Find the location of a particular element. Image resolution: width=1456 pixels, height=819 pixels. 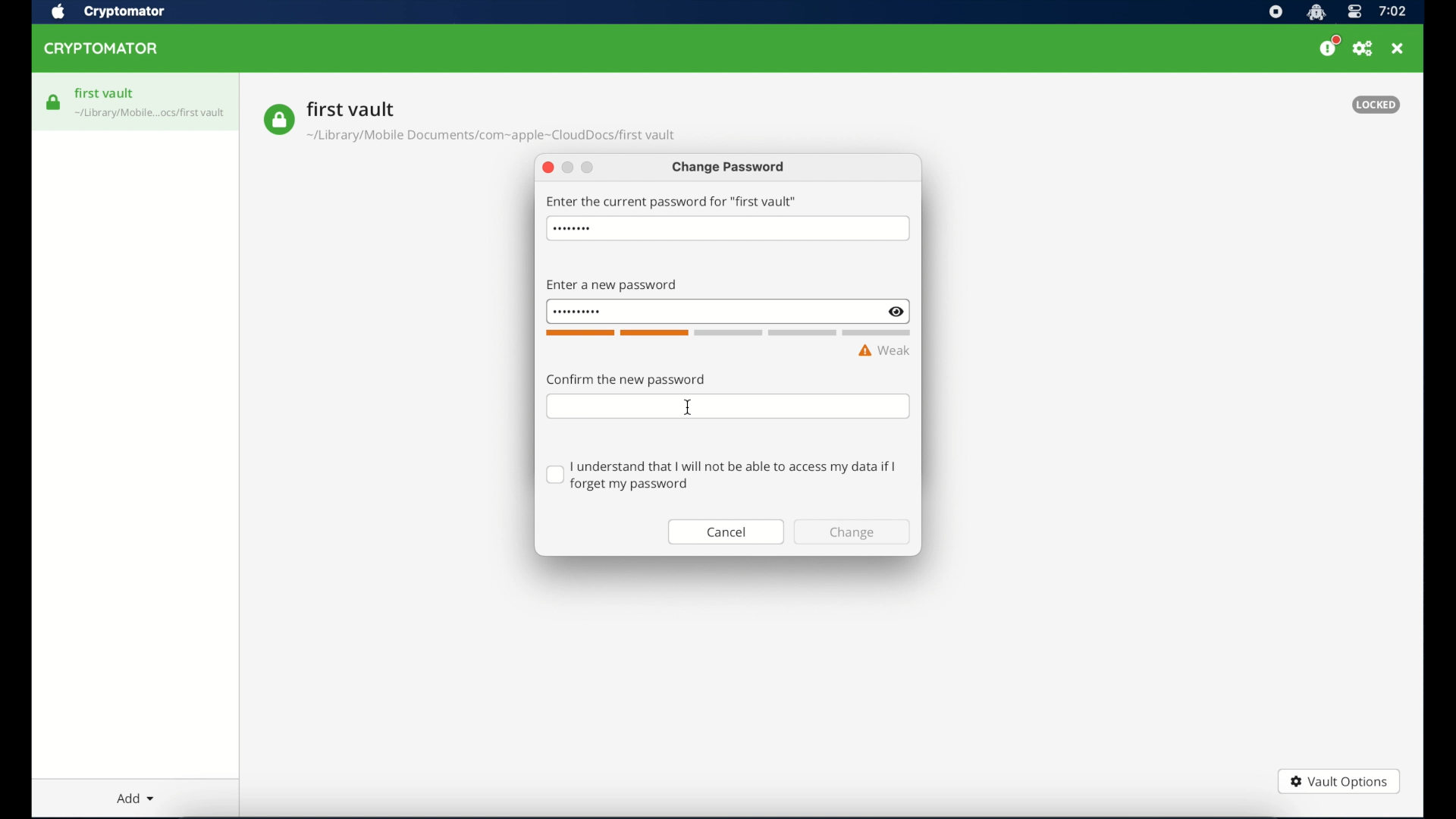

please consider donating is located at coordinates (1329, 46).